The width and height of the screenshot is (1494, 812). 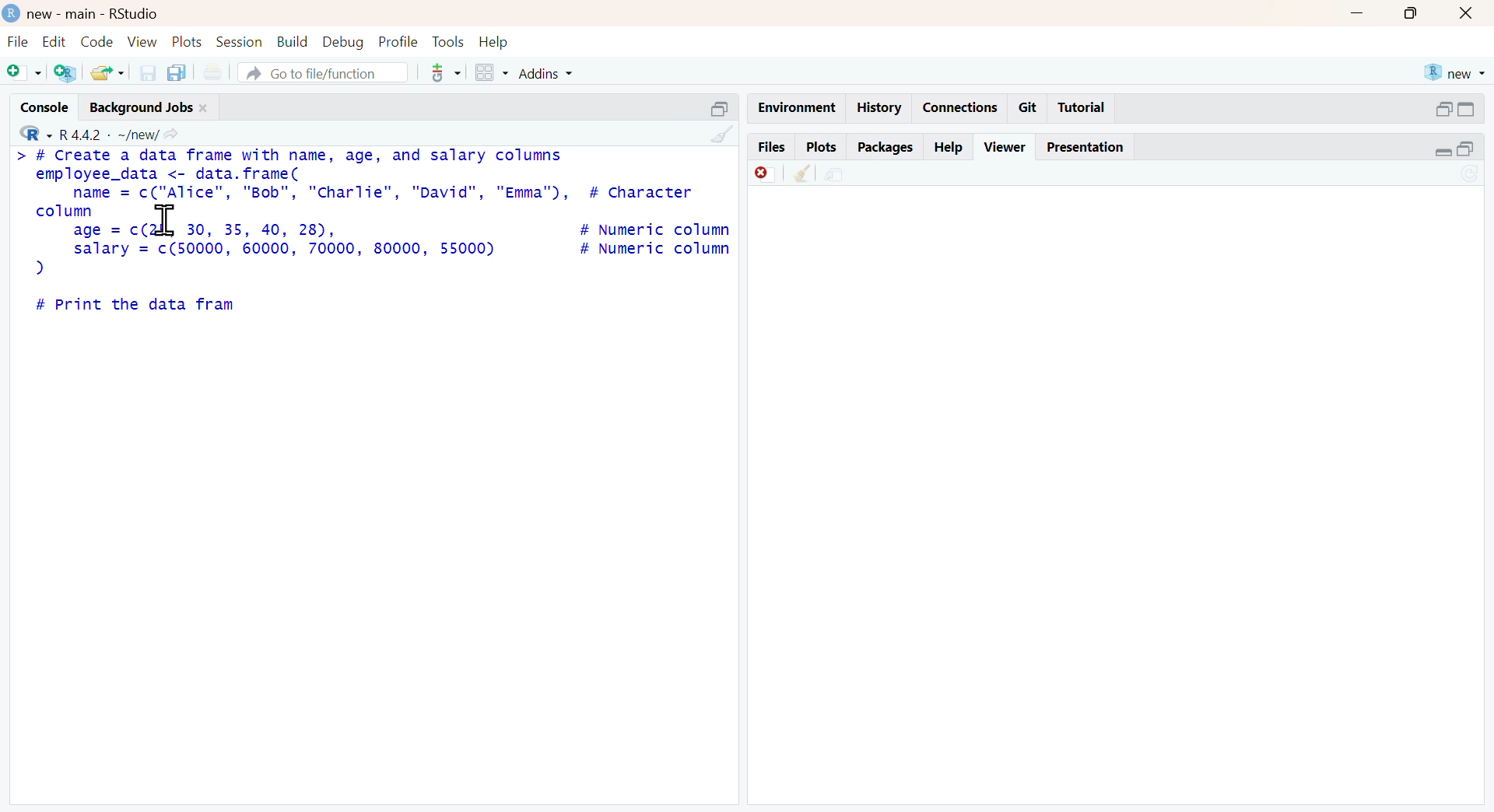 I want to click on maximize window, so click(x=1417, y=16).